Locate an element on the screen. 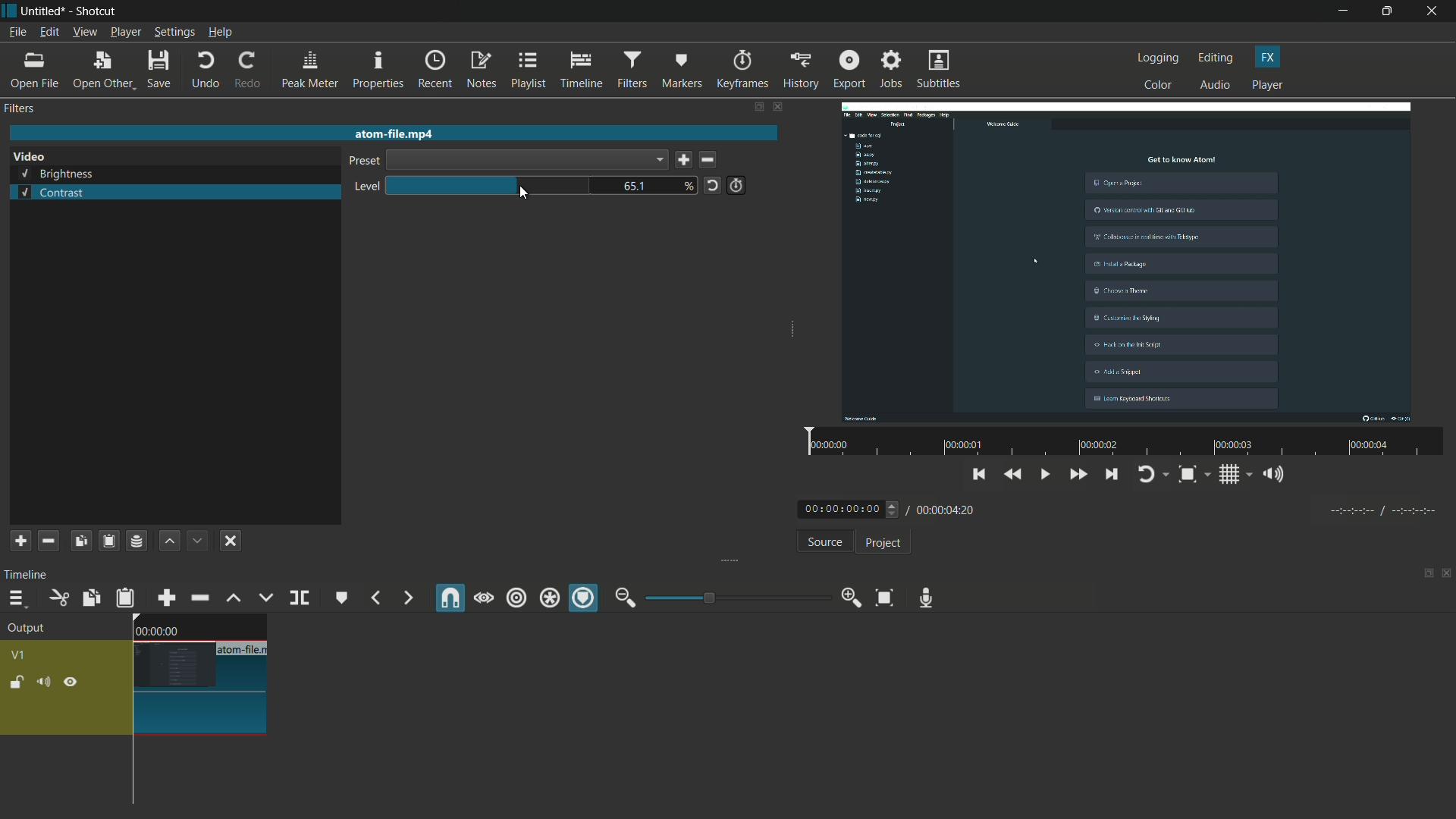 Image resolution: width=1456 pixels, height=819 pixels. show tabs is located at coordinates (758, 108).